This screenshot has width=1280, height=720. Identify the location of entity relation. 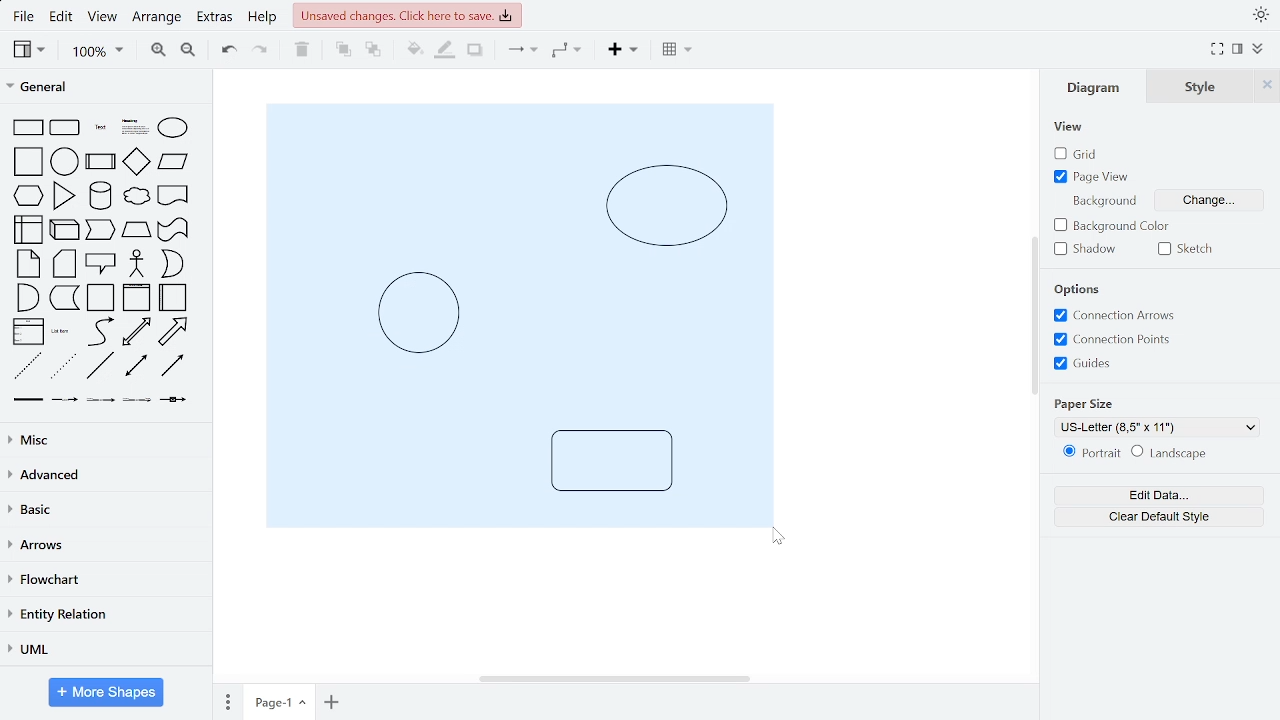
(102, 614).